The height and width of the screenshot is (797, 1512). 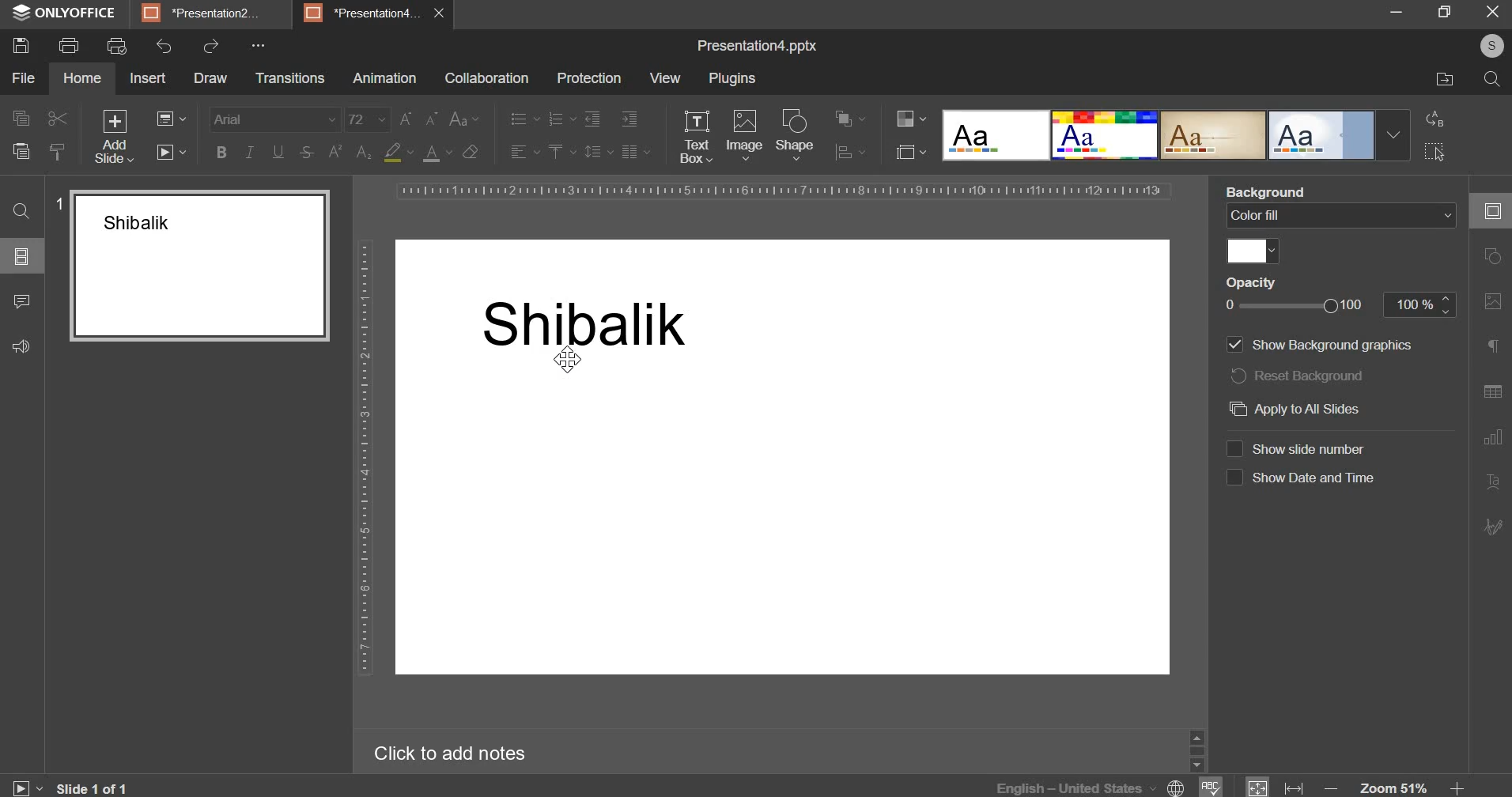 I want to click on horizontal scale, so click(x=784, y=191).